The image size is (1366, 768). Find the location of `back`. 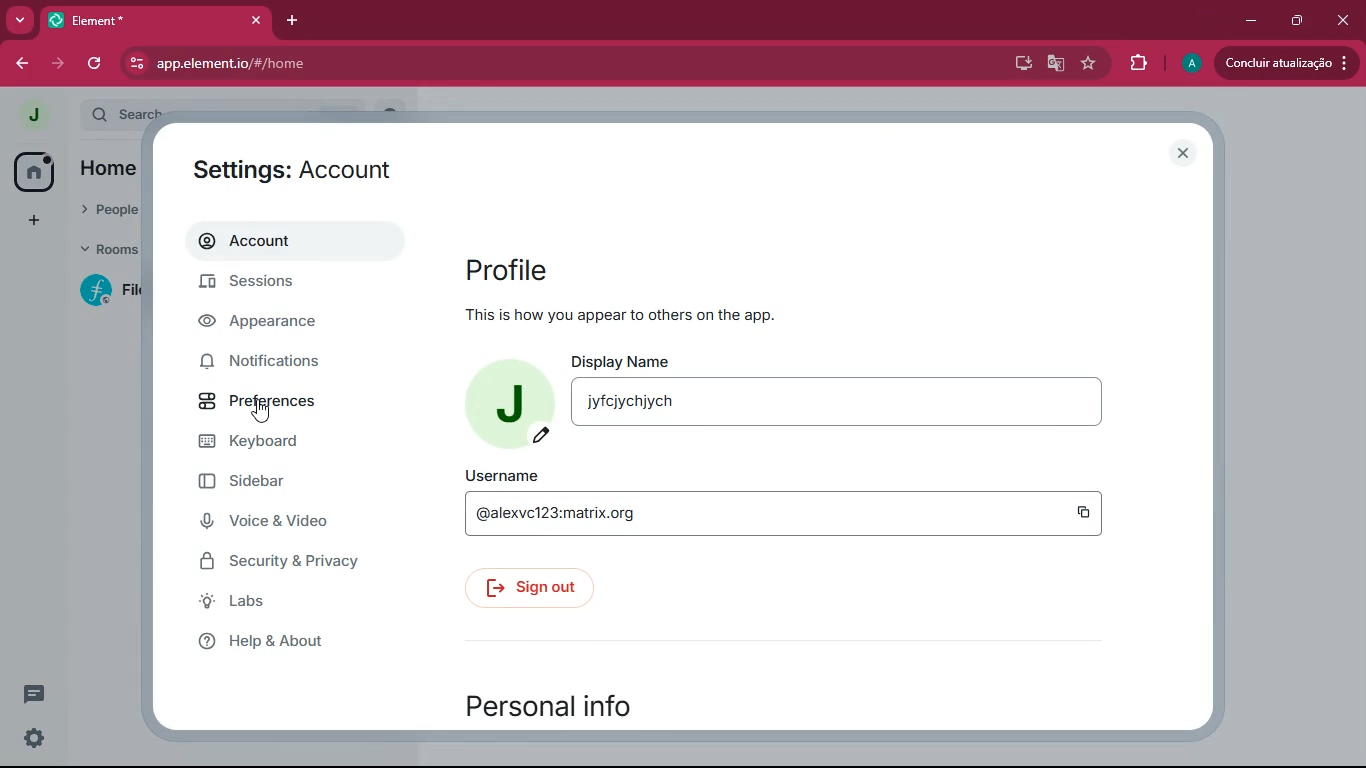

back is located at coordinates (21, 65).